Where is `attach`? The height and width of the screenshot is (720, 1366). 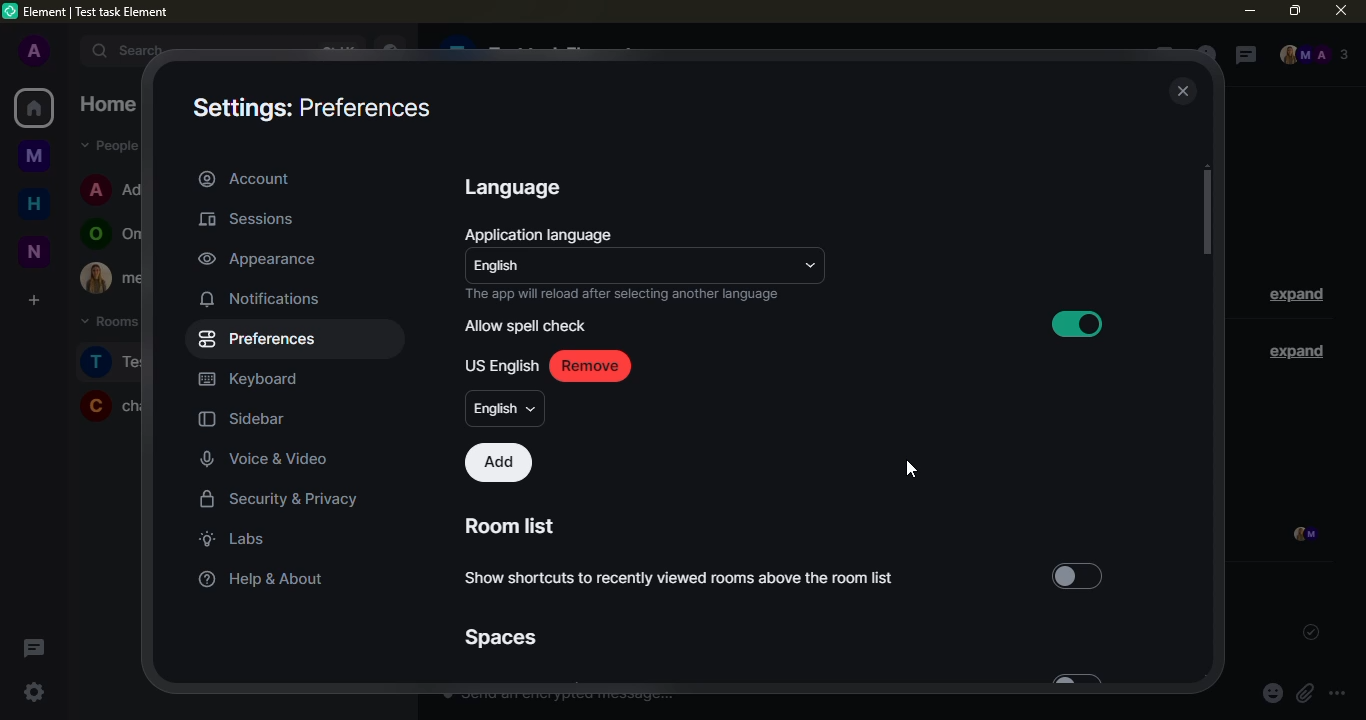
attach is located at coordinates (1304, 694).